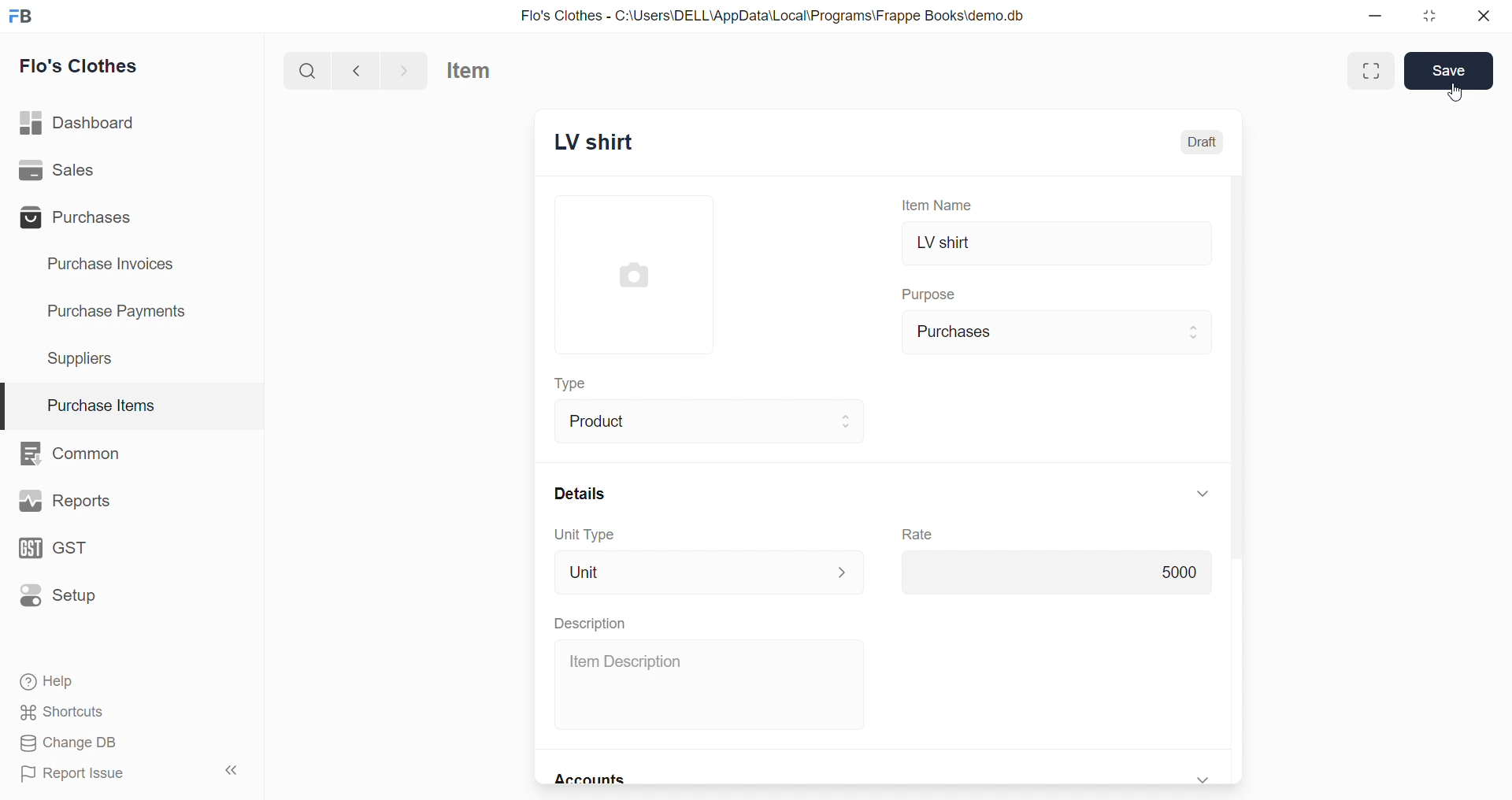 This screenshot has width=1512, height=800. Describe the element at coordinates (238, 772) in the screenshot. I see `collapse sidebar` at that location.